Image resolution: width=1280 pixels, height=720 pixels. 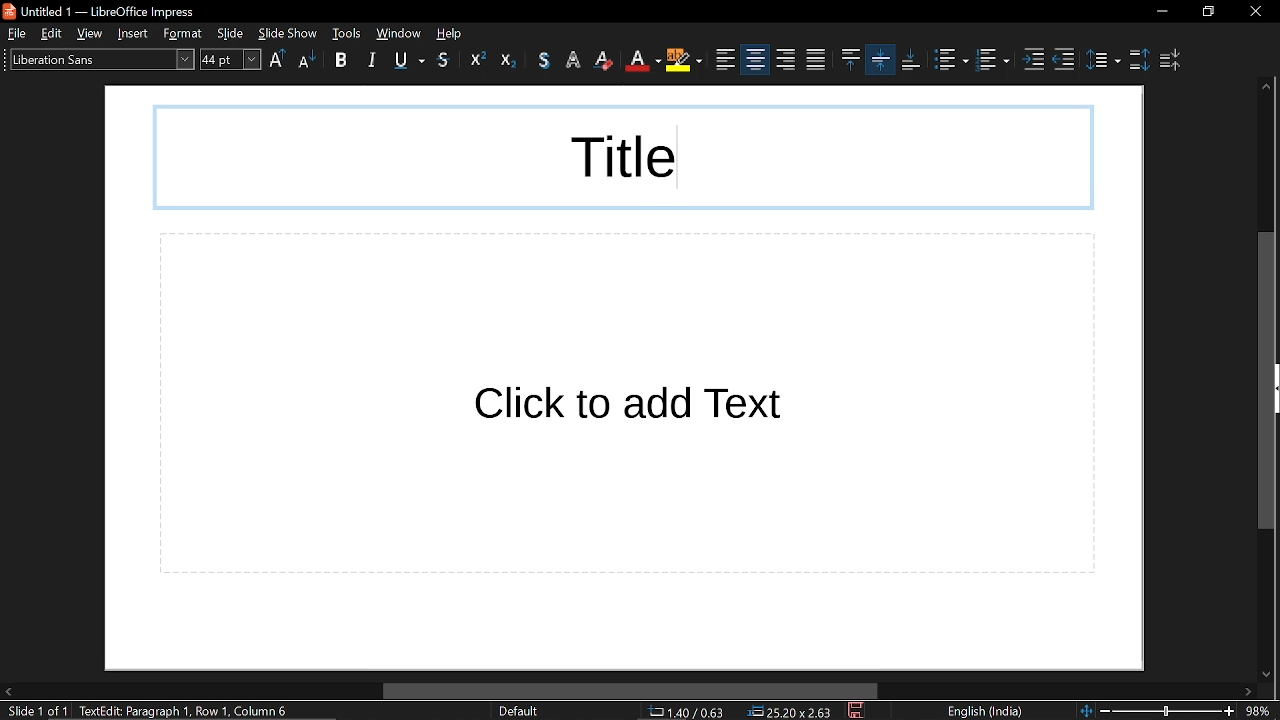 I want to click on outline, so click(x=546, y=60).